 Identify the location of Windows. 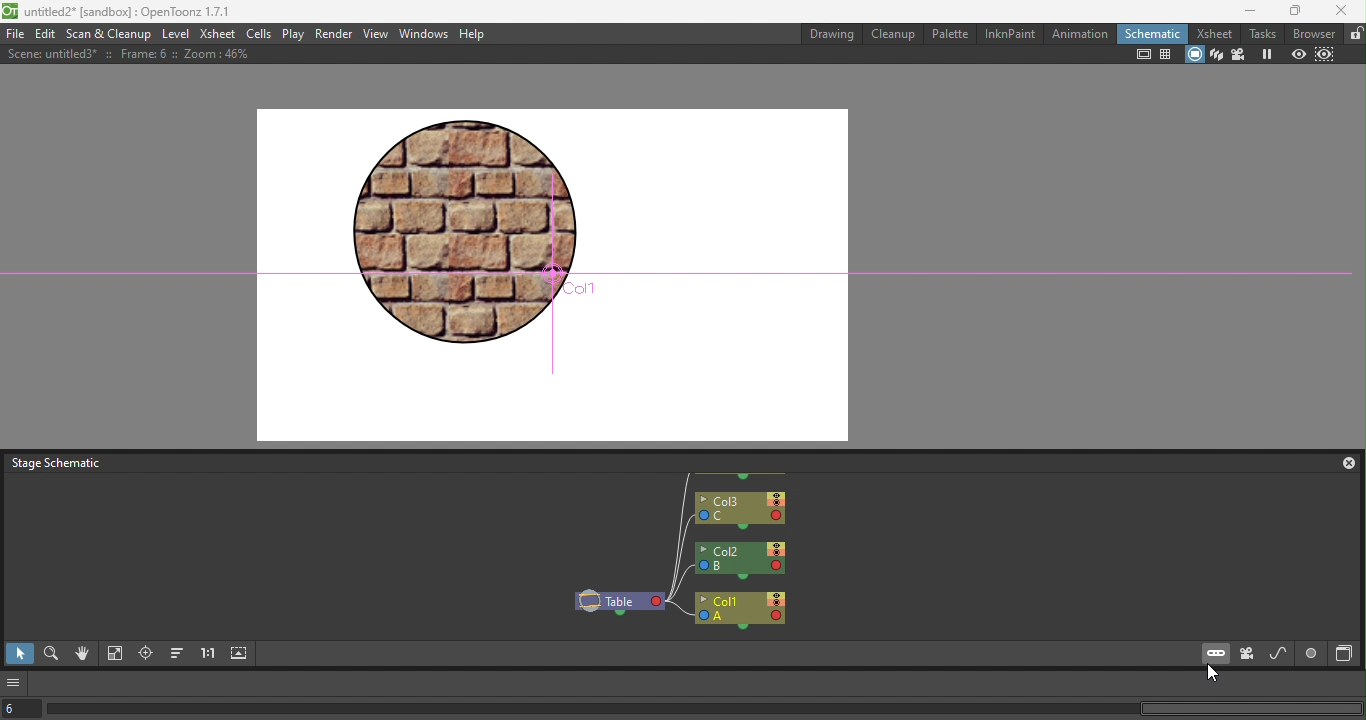
(426, 34).